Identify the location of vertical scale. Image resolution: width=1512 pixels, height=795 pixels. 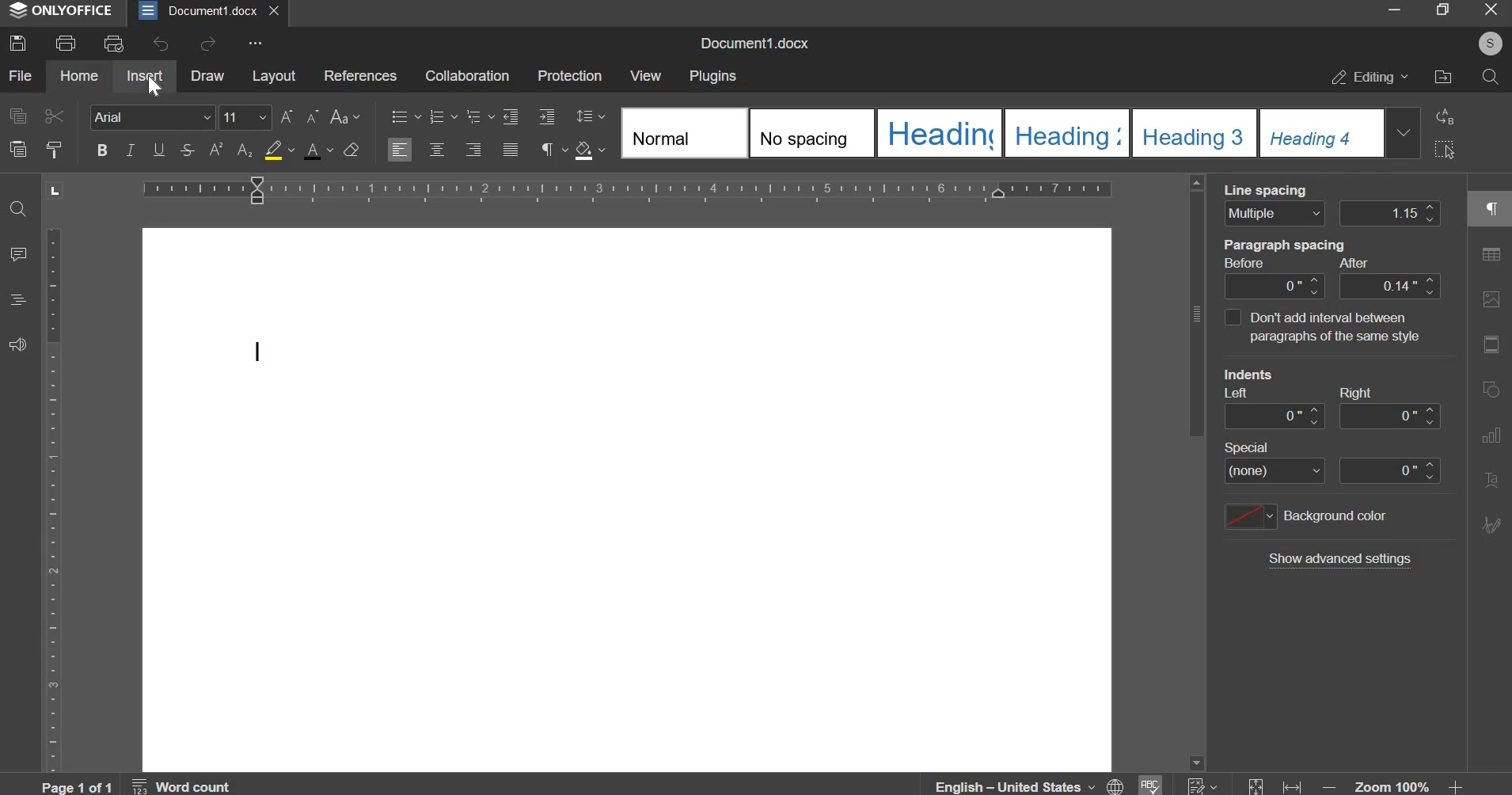
(53, 500).